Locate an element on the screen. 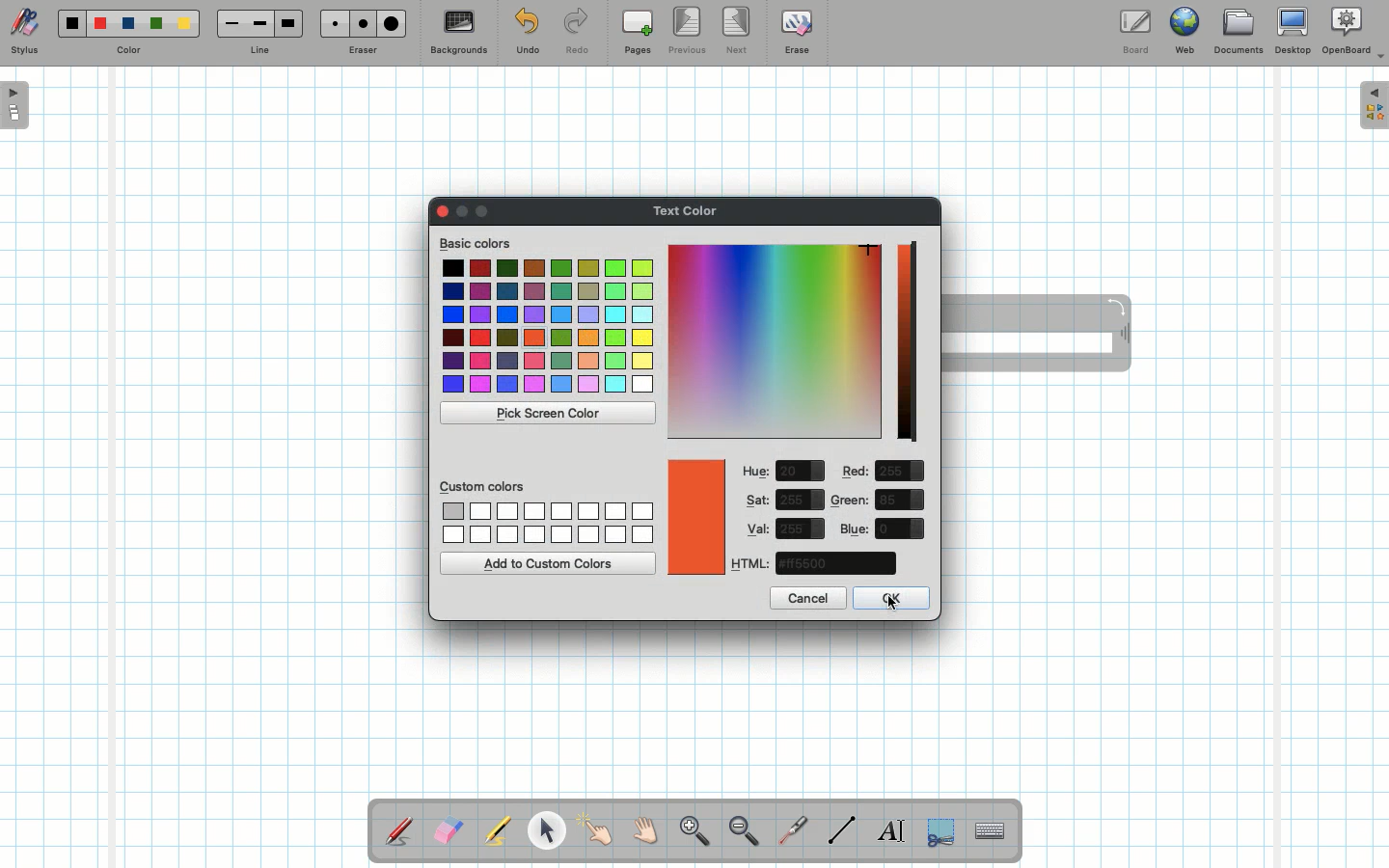 This screenshot has height=868, width=1389. Open pages is located at coordinates (16, 104).